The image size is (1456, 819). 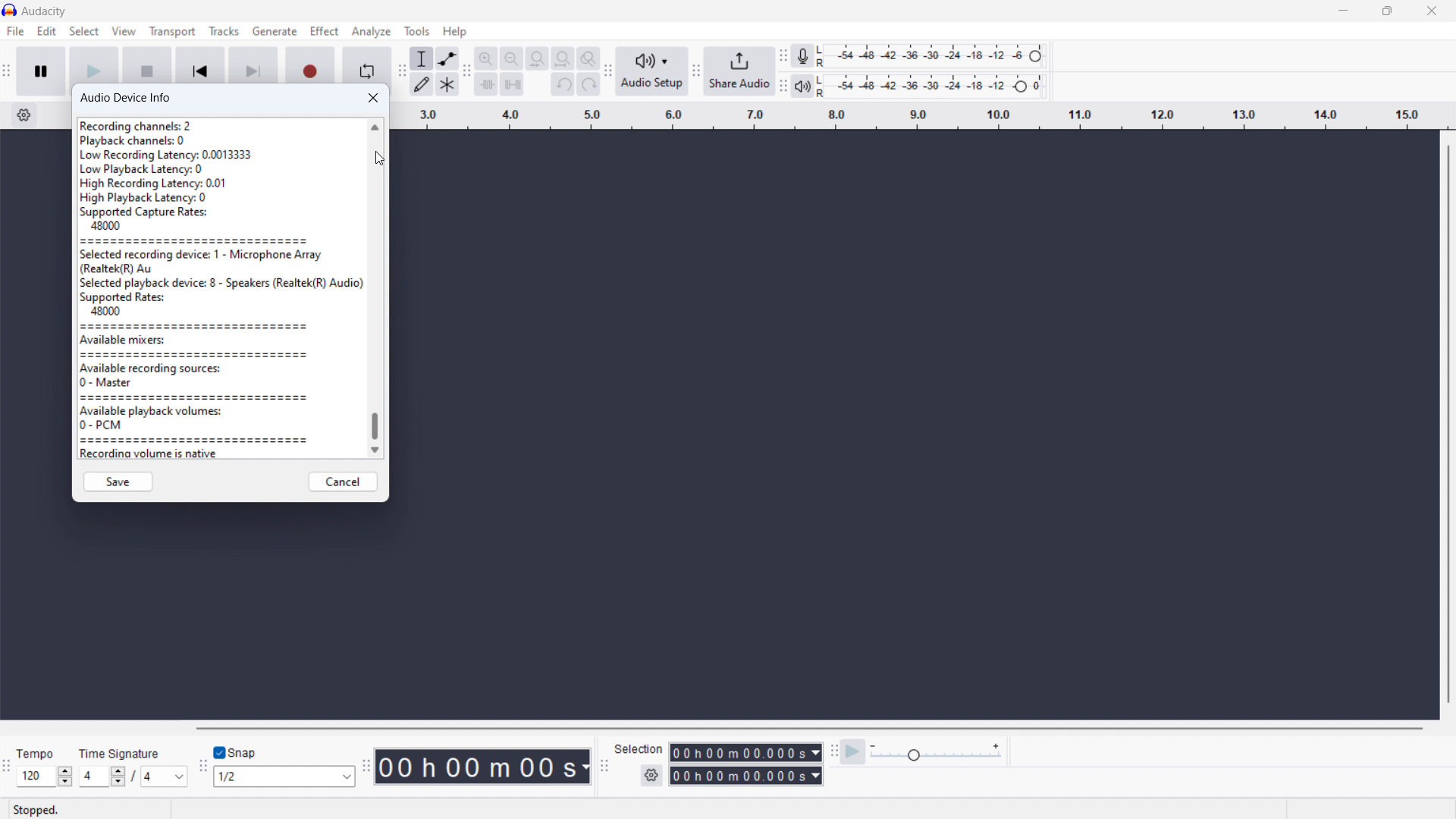 What do you see at coordinates (325, 30) in the screenshot?
I see `effect` at bounding box center [325, 30].